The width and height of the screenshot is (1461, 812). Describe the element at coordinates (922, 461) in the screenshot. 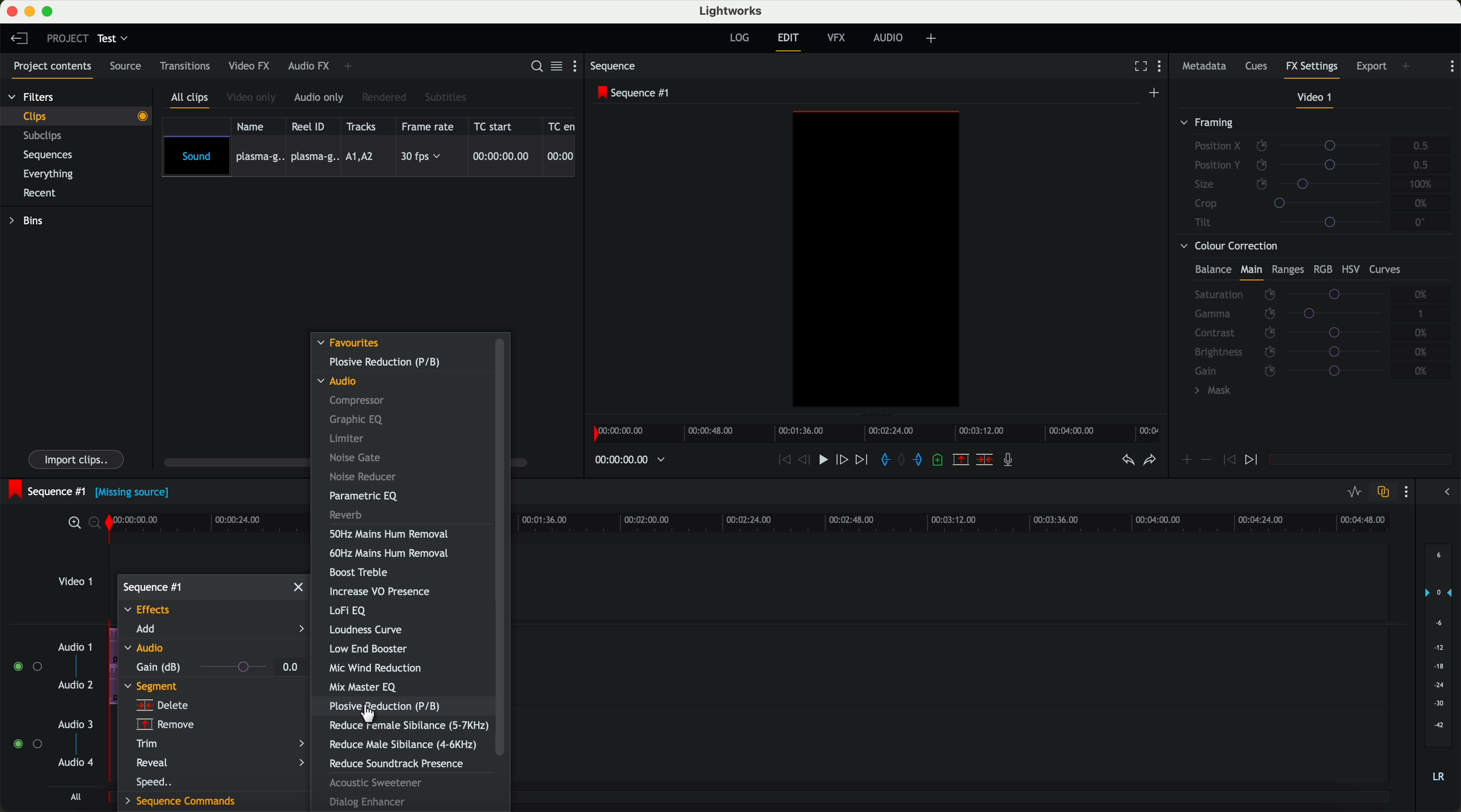

I see `add out mark` at that location.